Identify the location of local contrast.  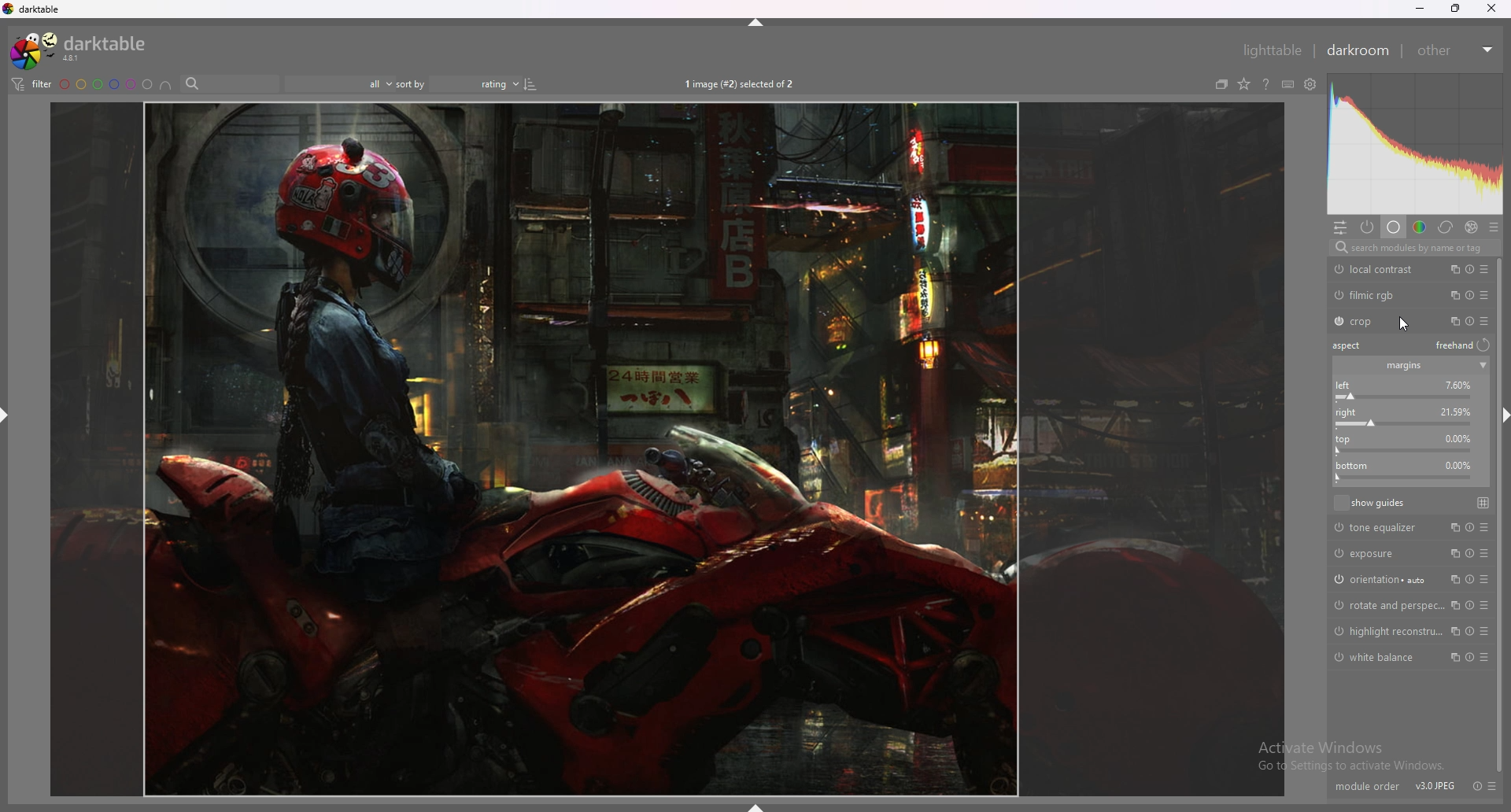
(1379, 269).